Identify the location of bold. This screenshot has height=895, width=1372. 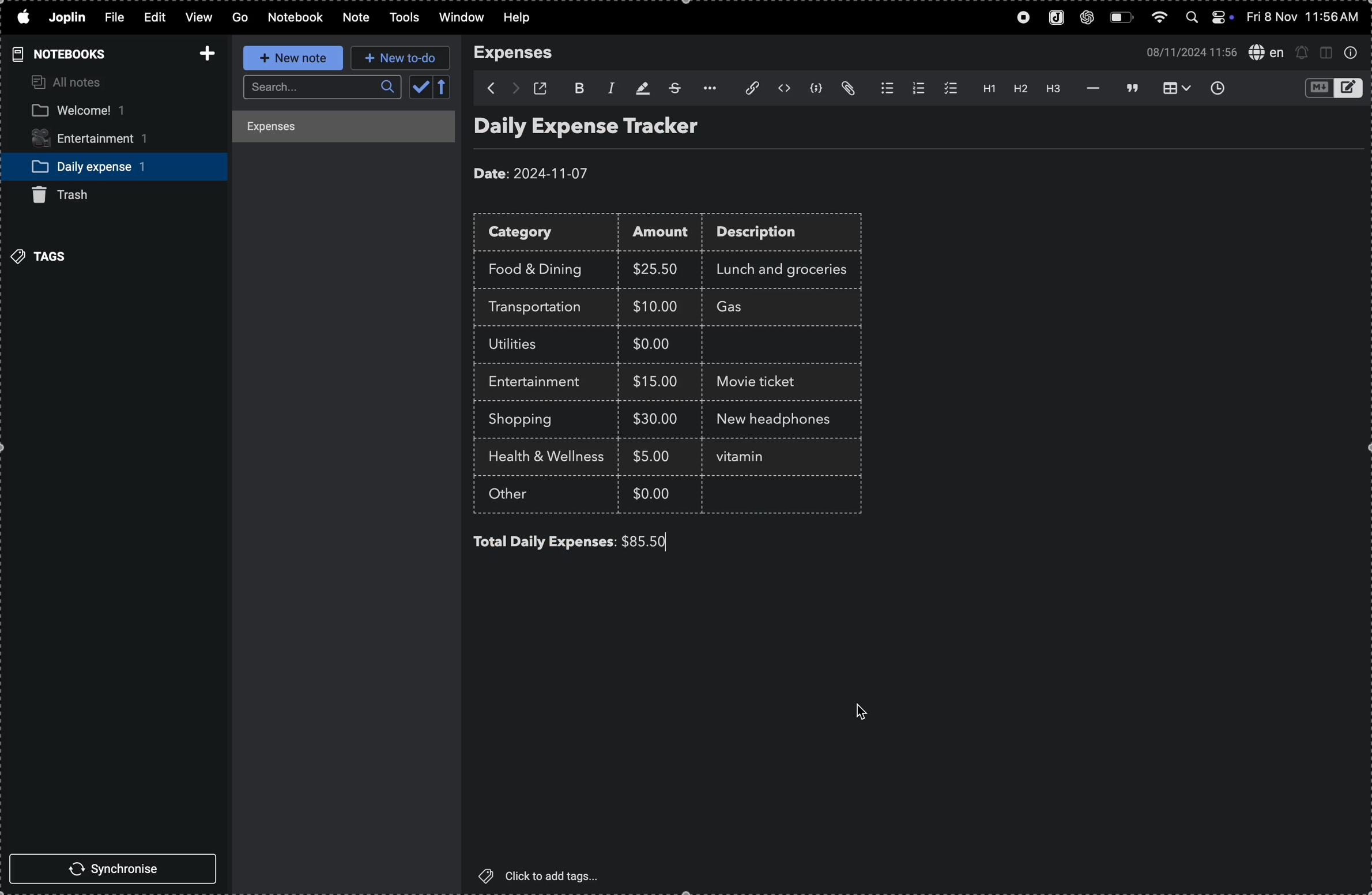
(578, 87).